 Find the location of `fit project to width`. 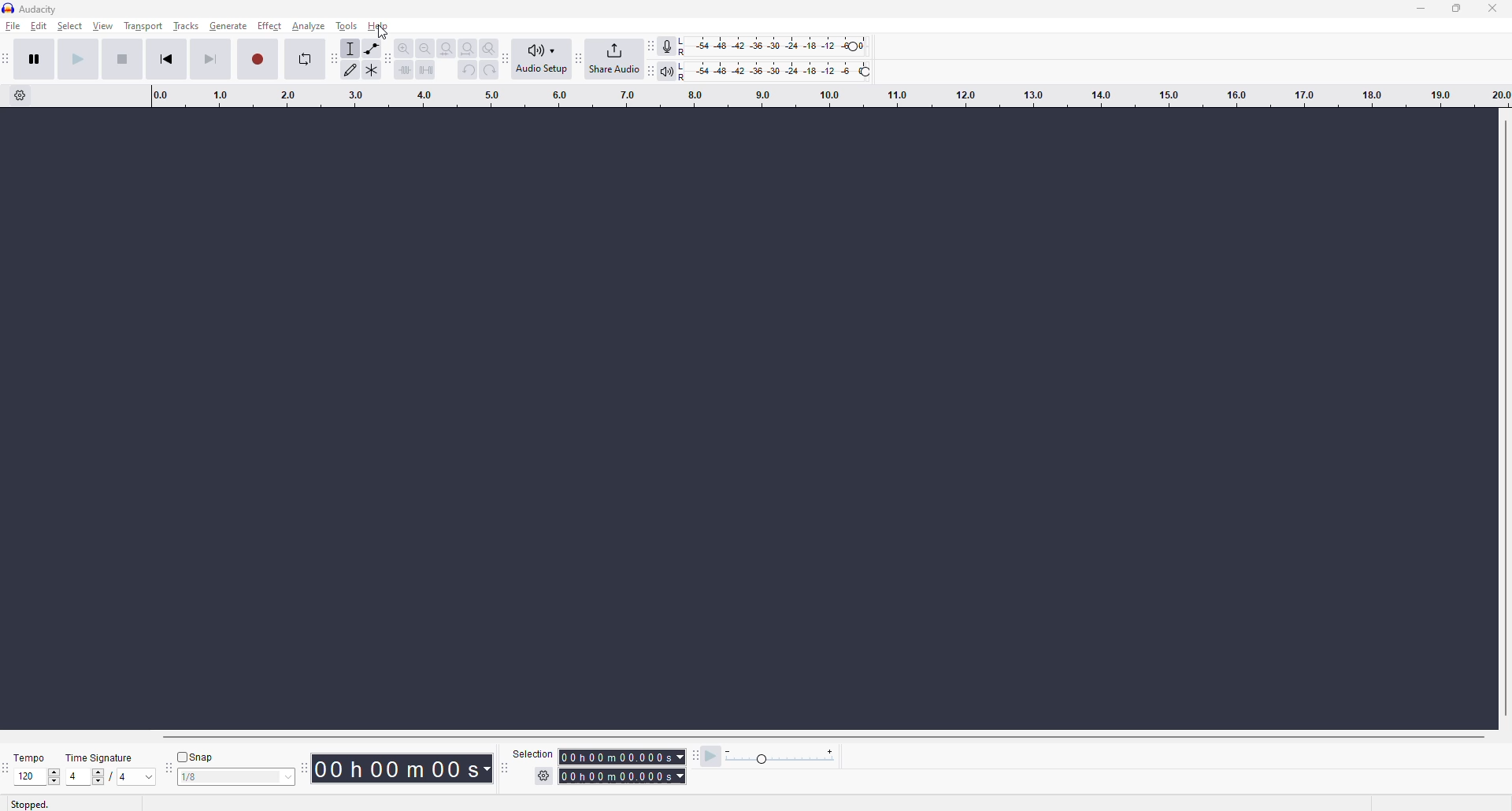

fit project to width is located at coordinates (467, 49).